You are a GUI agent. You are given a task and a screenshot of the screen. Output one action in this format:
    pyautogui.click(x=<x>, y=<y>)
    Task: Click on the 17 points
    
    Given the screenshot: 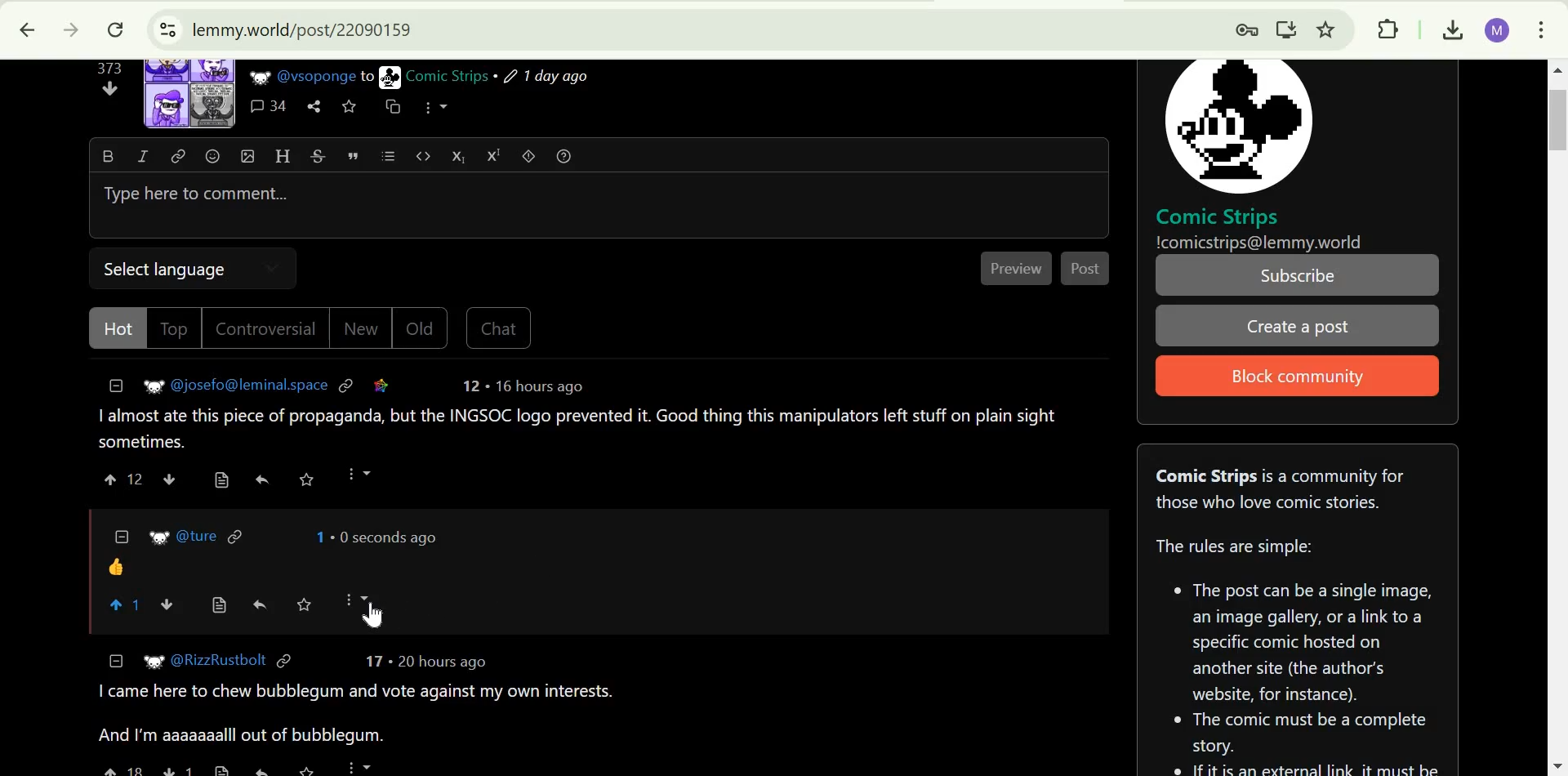 What is the action you would take?
    pyautogui.click(x=373, y=661)
    